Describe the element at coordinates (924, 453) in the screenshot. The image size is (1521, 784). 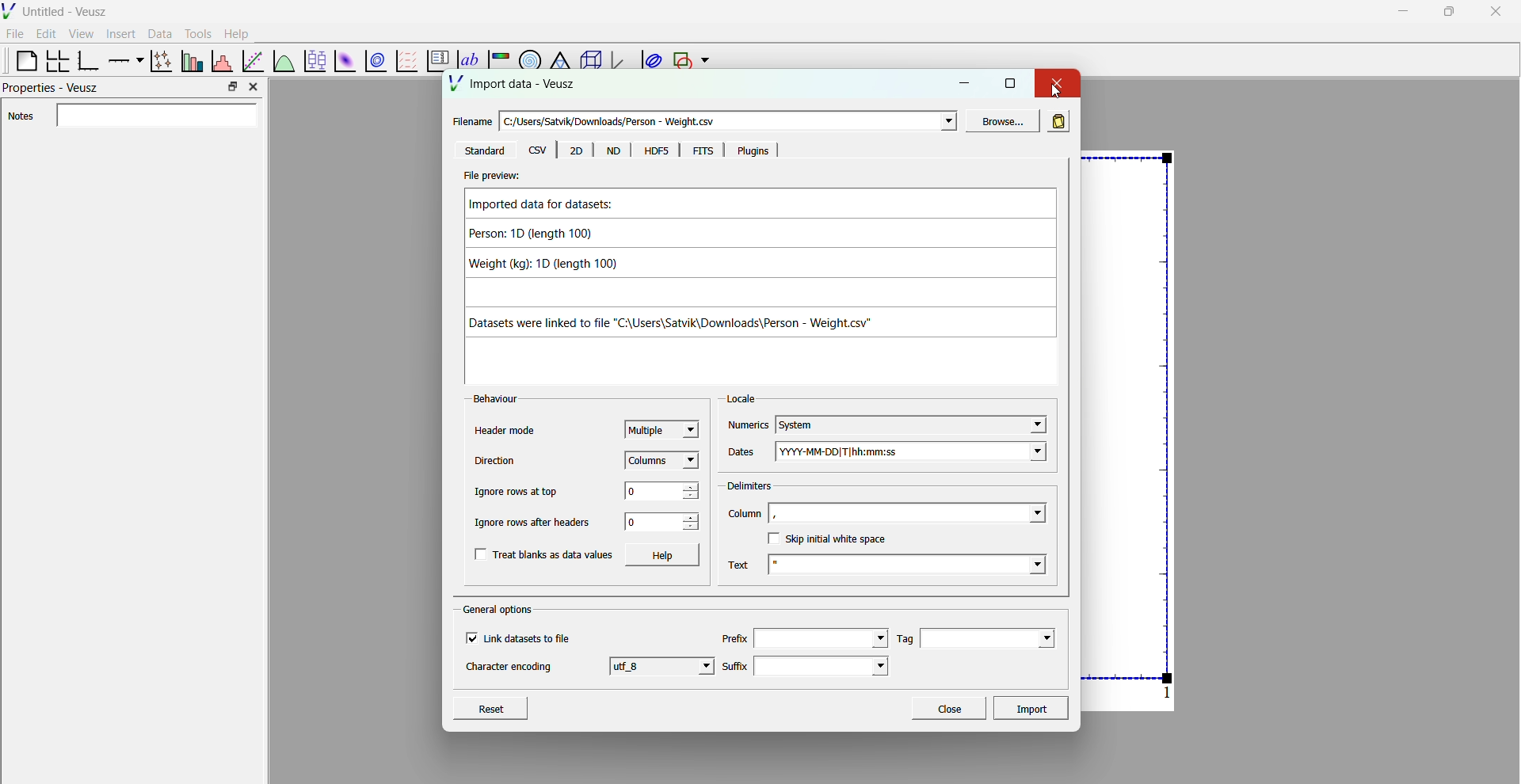
I see `YYYY-MM-DD|T|hh:mm:ss - dropdown` at that location.